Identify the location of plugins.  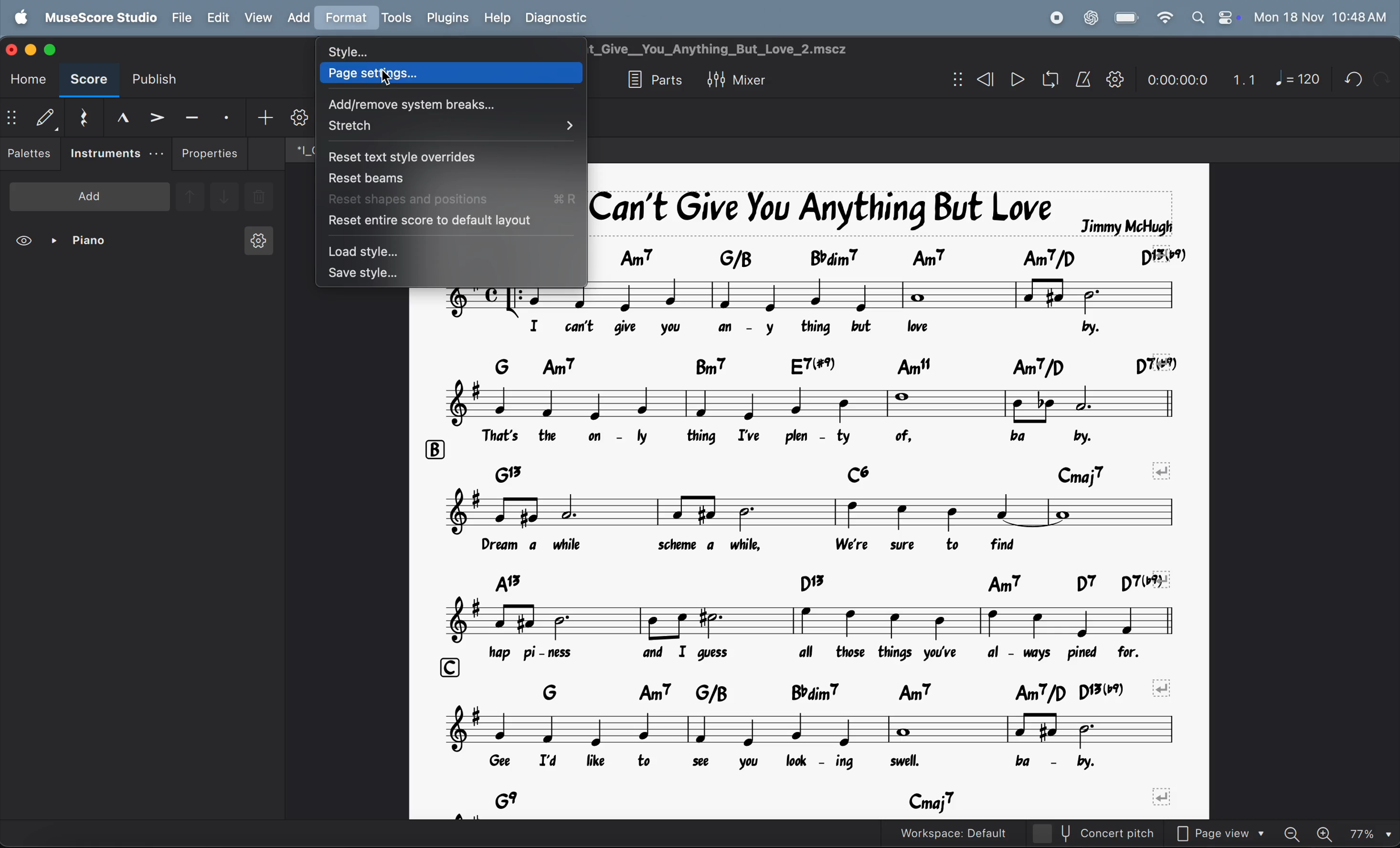
(445, 18).